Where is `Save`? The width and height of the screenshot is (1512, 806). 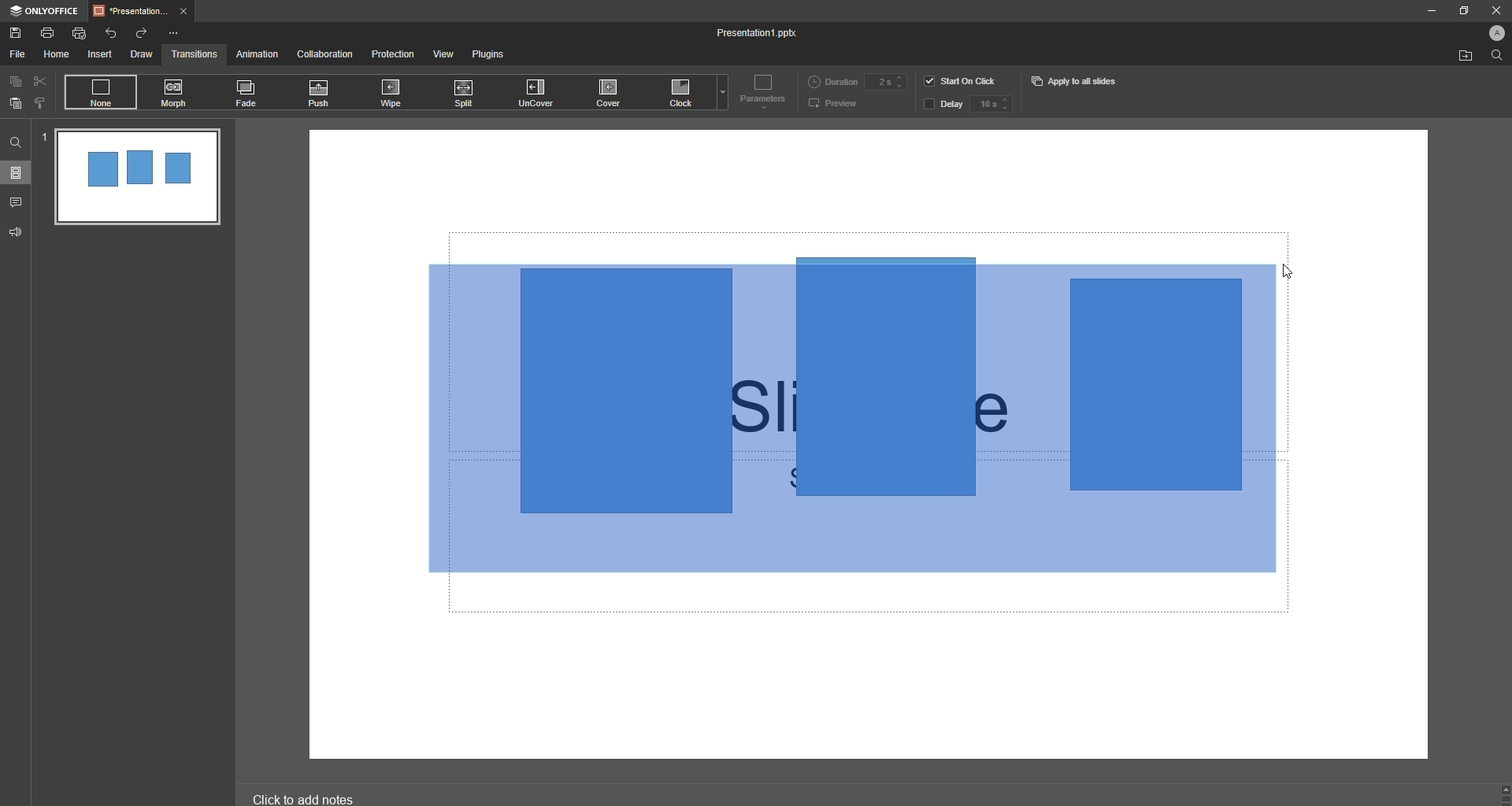 Save is located at coordinates (16, 33).